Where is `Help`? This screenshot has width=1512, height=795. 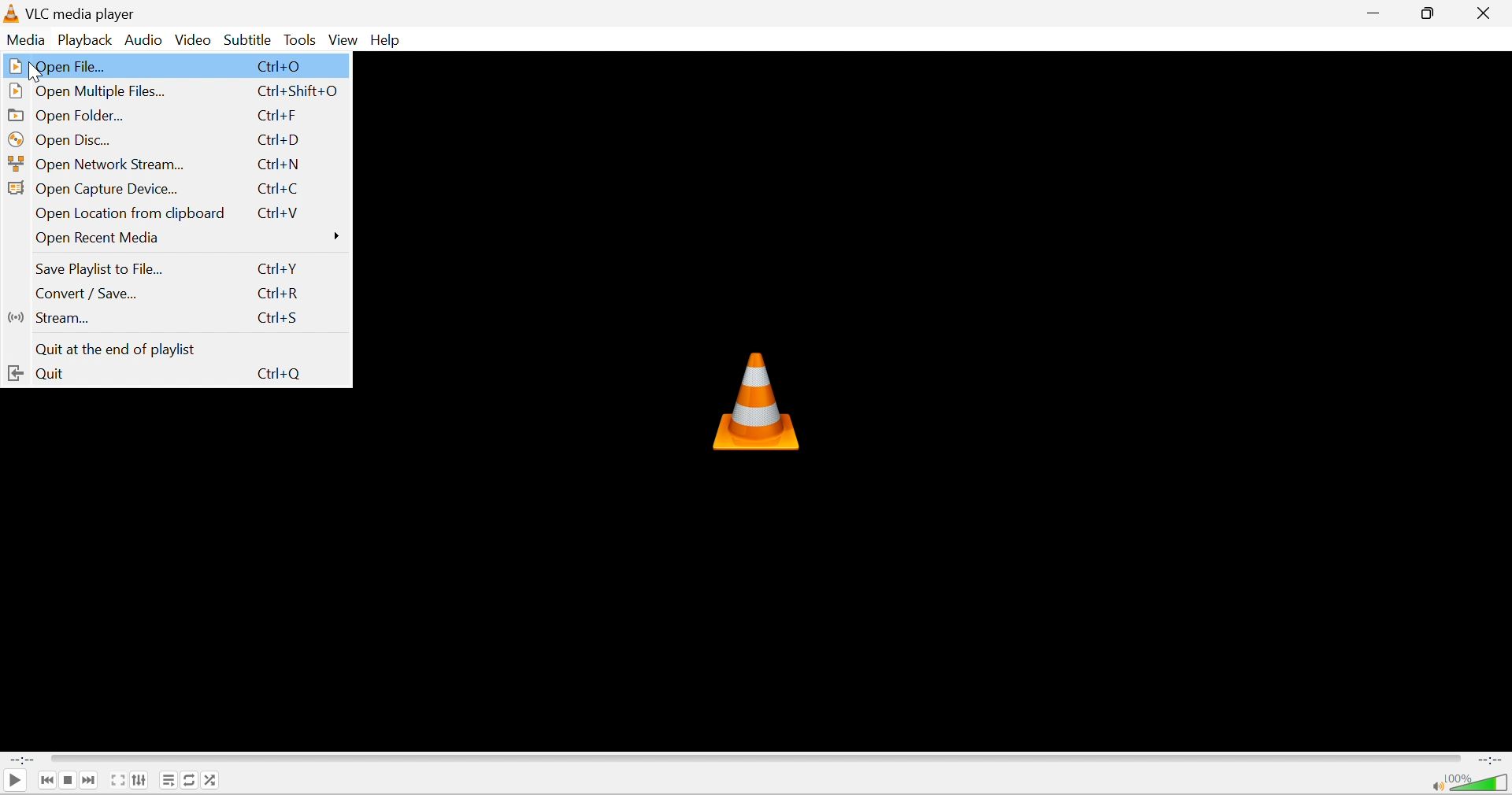 Help is located at coordinates (387, 41).